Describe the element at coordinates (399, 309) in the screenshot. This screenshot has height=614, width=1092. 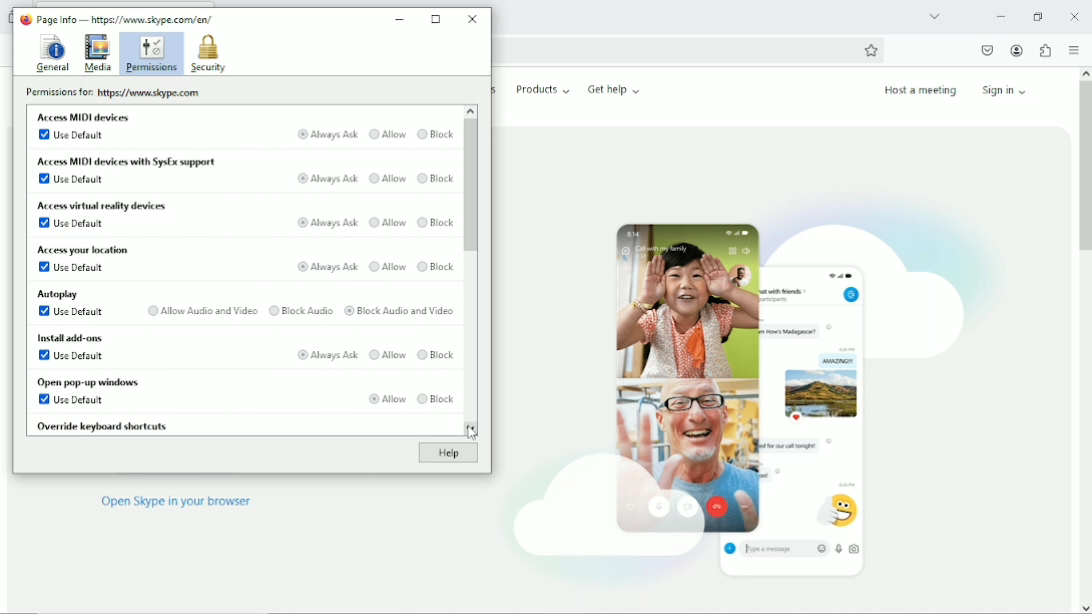
I see `Block audio and video` at that location.